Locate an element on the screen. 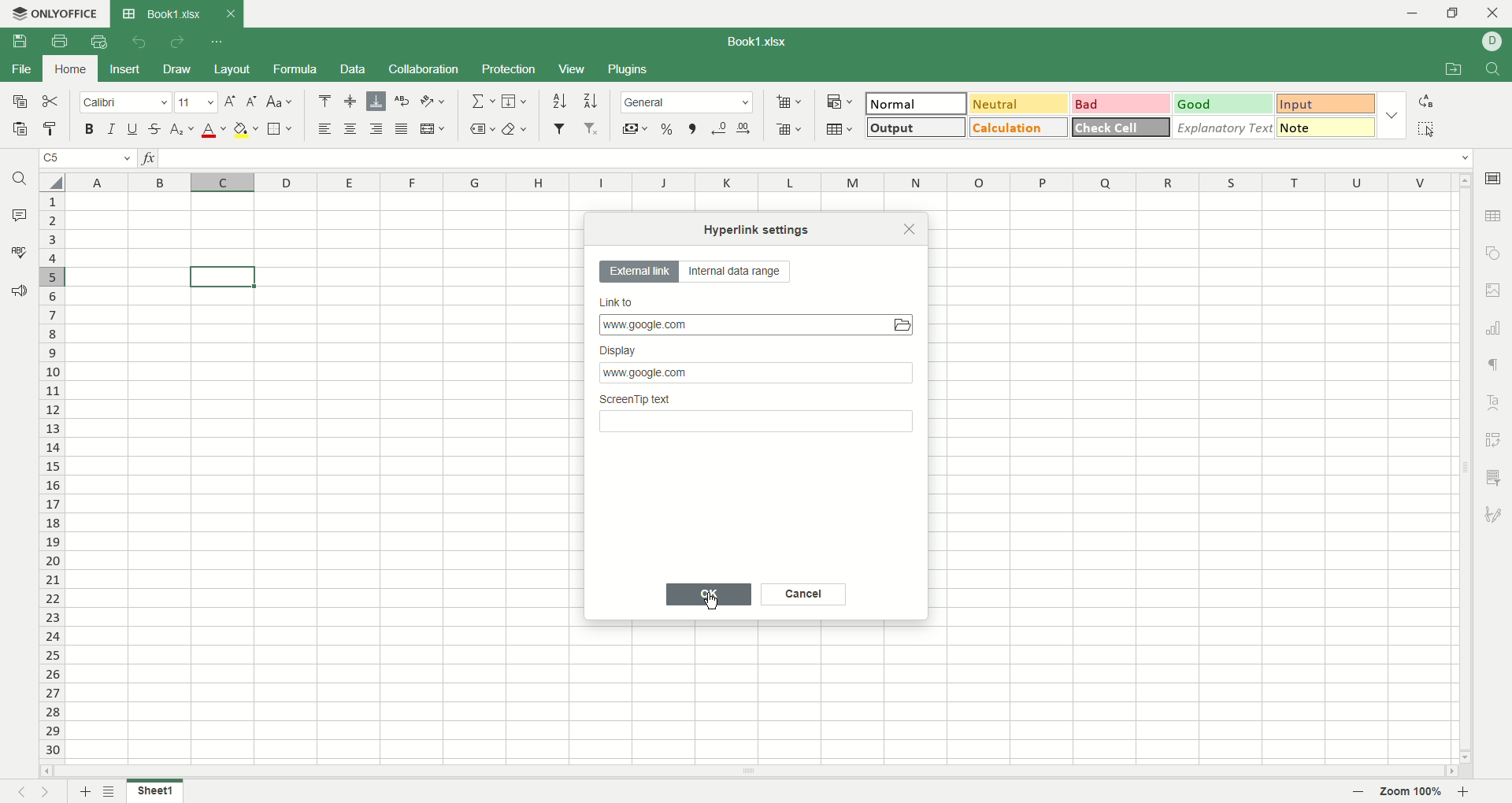  signature settings is located at coordinates (1494, 516).